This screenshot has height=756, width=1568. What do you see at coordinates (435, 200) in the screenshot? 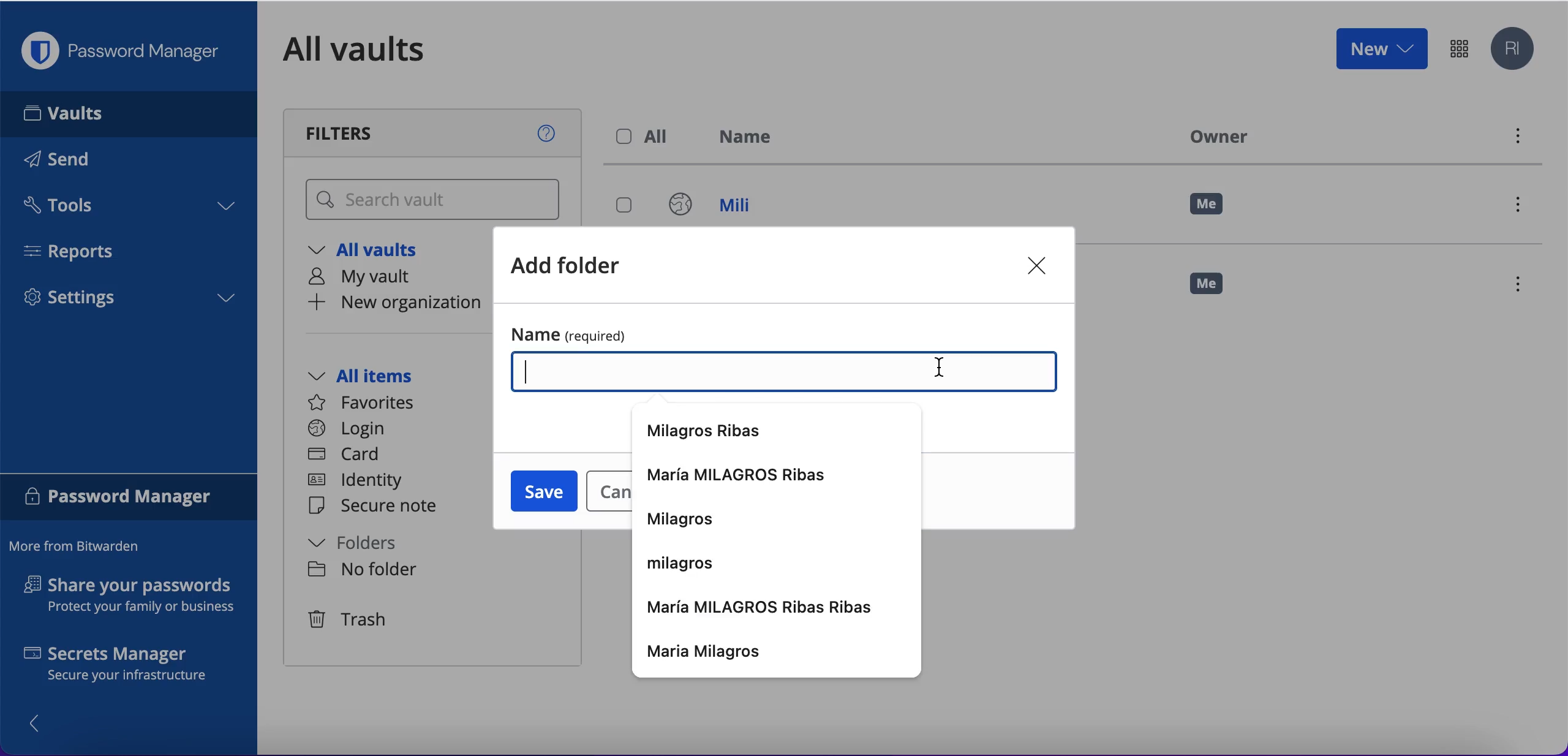
I see `search vault` at bounding box center [435, 200].